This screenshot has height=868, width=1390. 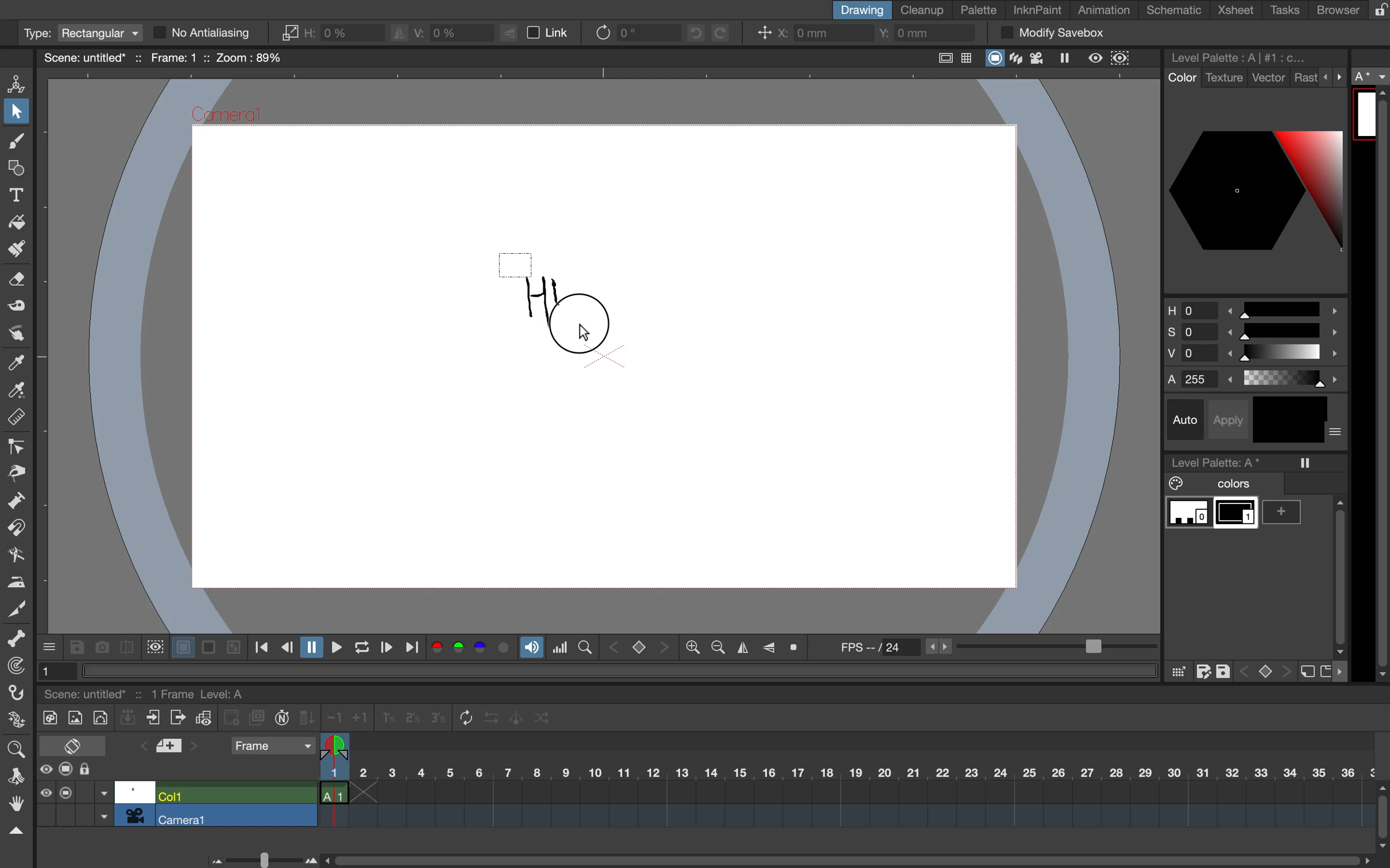 What do you see at coordinates (17, 192) in the screenshot?
I see `type tool` at bounding box center [17, 192].